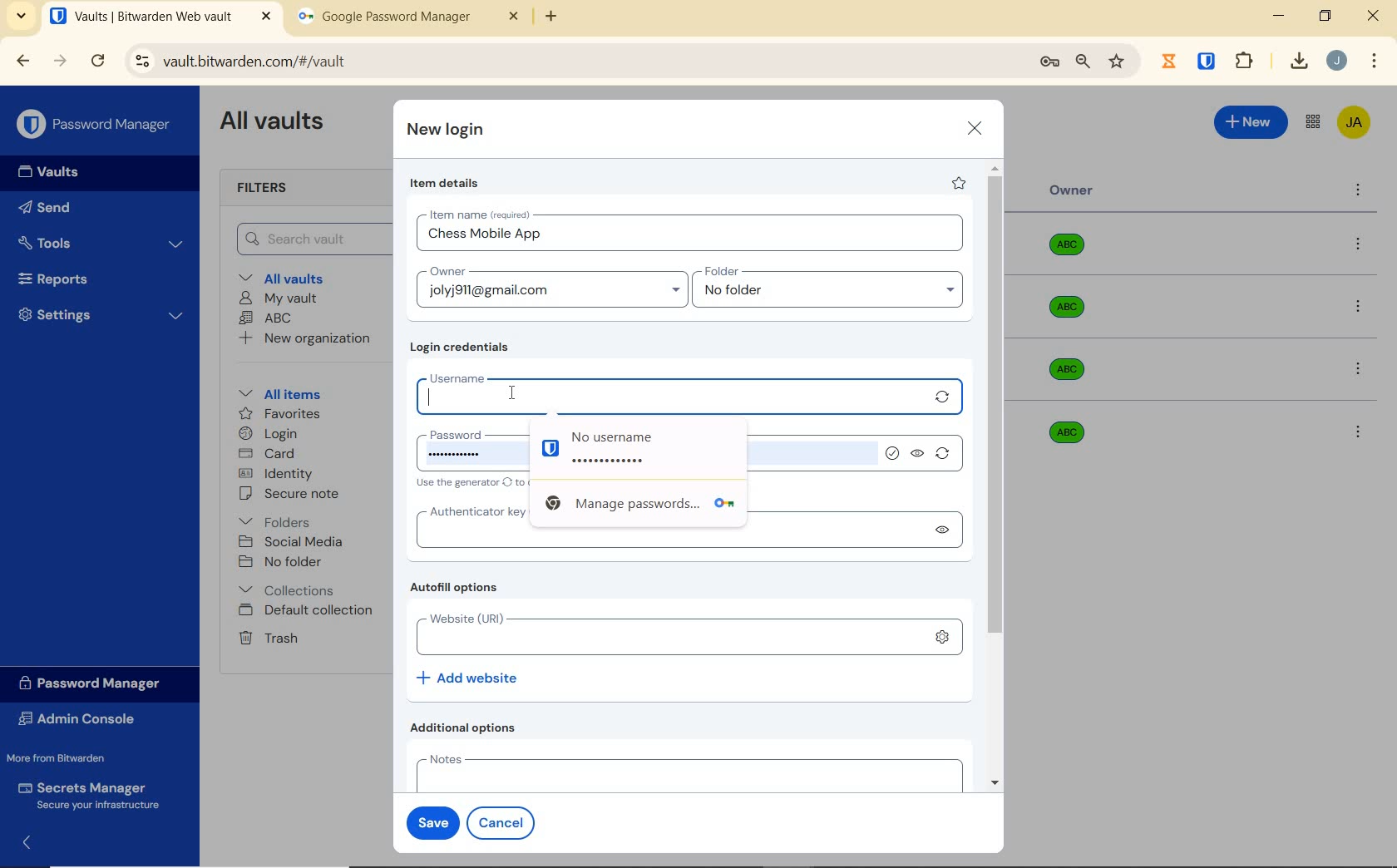 The height and width of the screenshot is (868, 1397). I want to click on Trash, so click(265, 637).